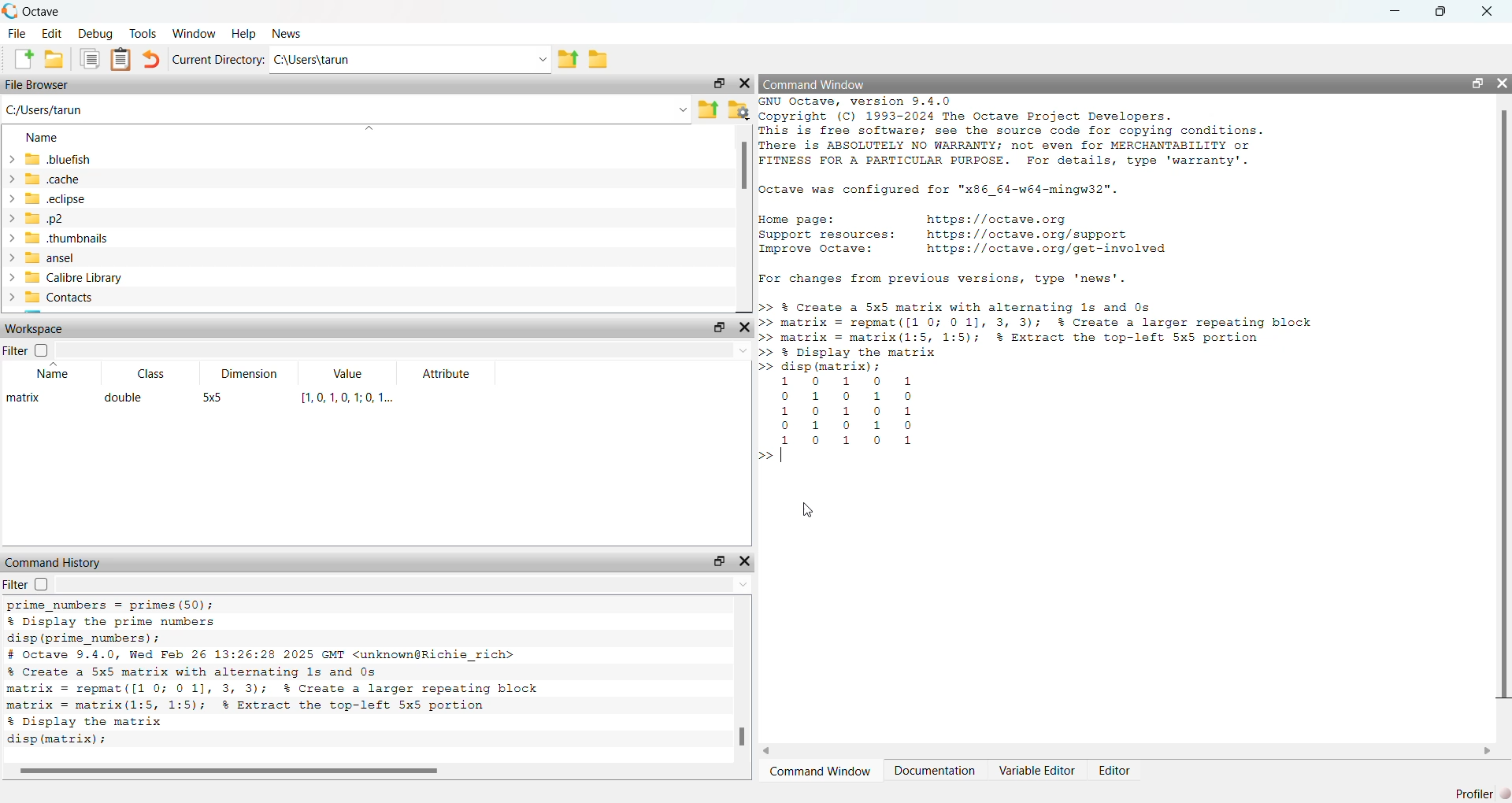  I want to click on C:/Users/tarun, so click(44, 109).